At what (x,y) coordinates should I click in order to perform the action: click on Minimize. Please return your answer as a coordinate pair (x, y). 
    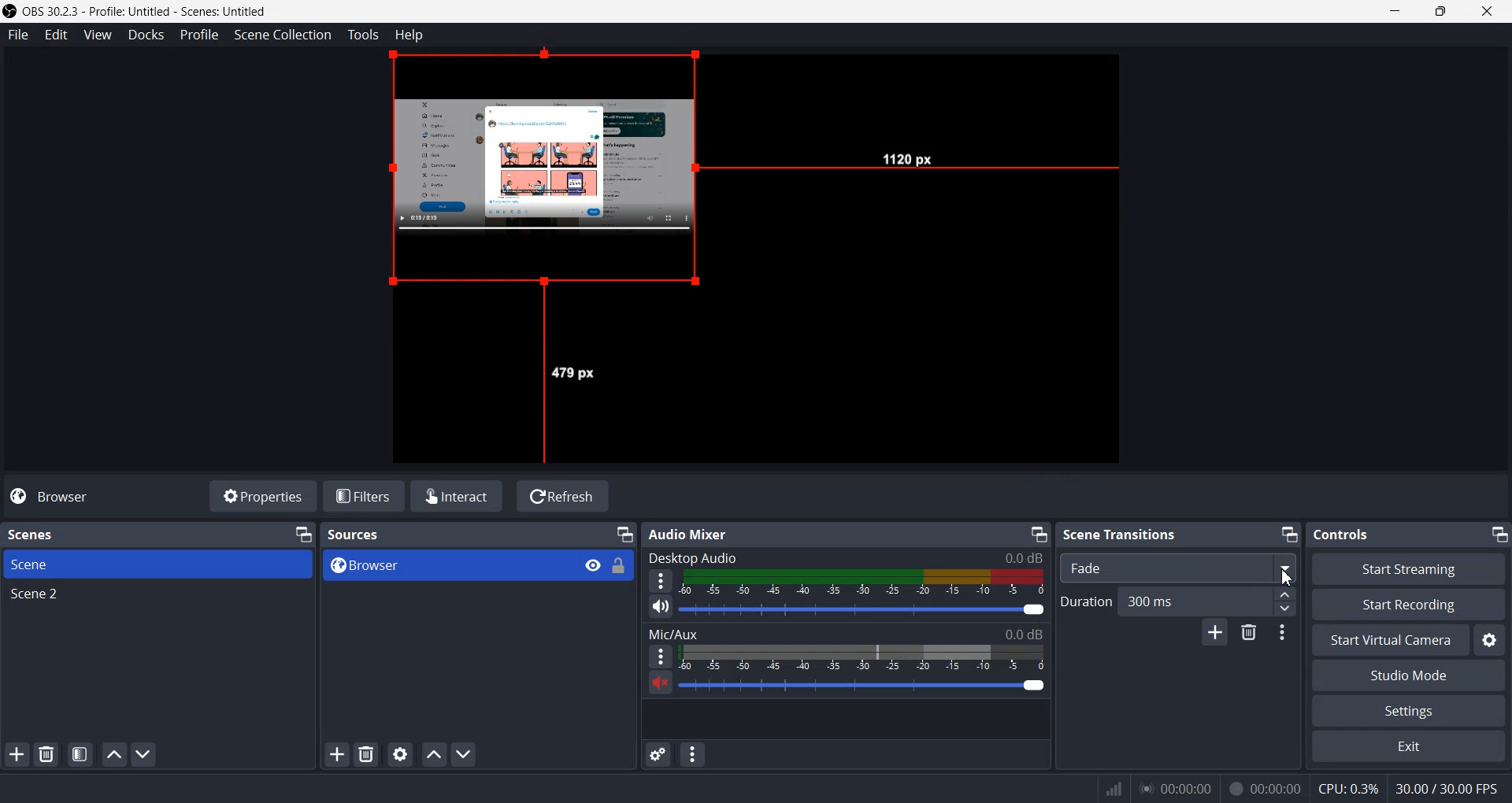
    Looking at the image, I should click on (1288, 533).